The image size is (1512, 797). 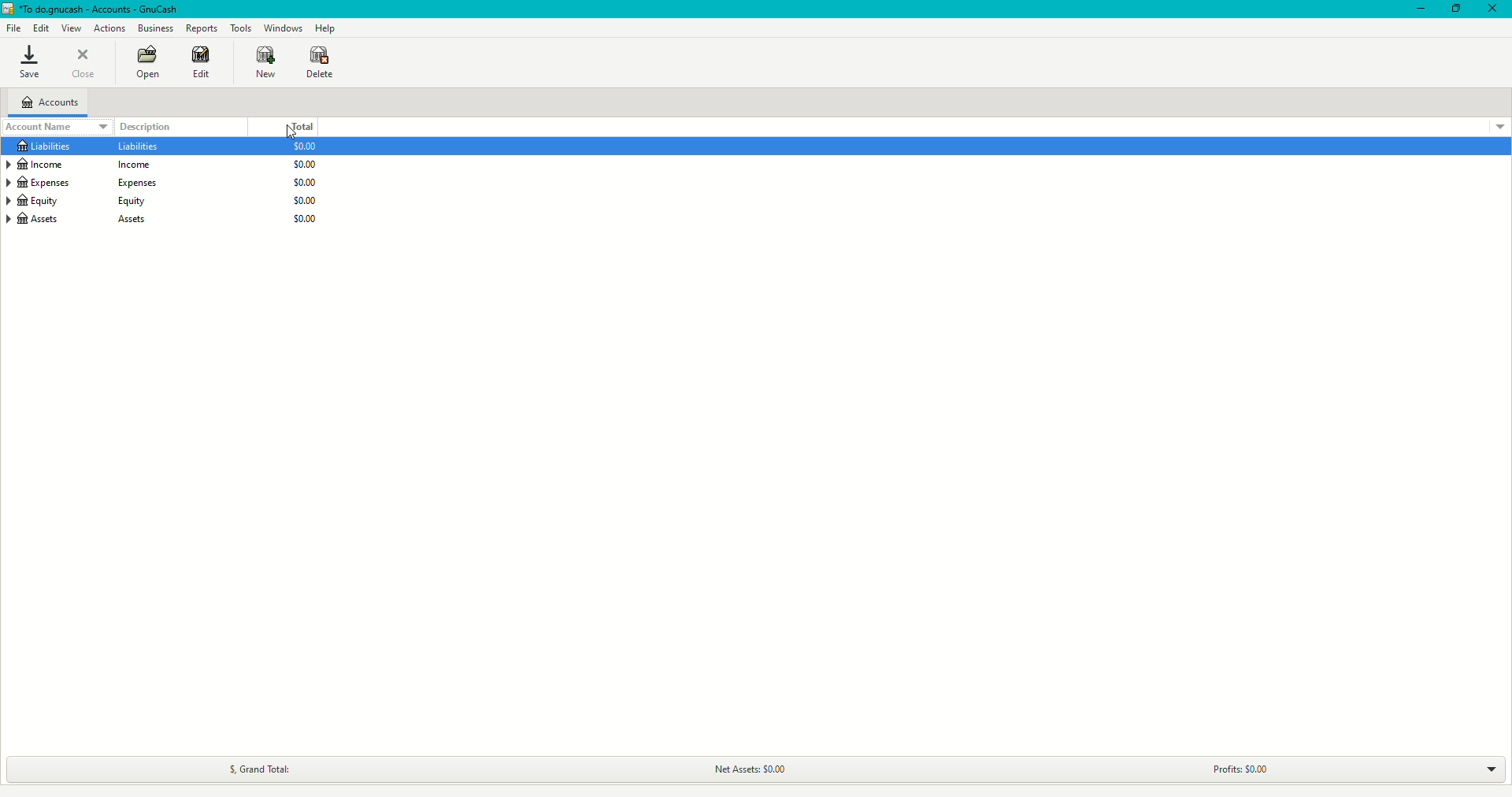 What do you see at coordinates (749, 765) in the screenshot?
I see `Net Assets` at bounding box center [749, 765].